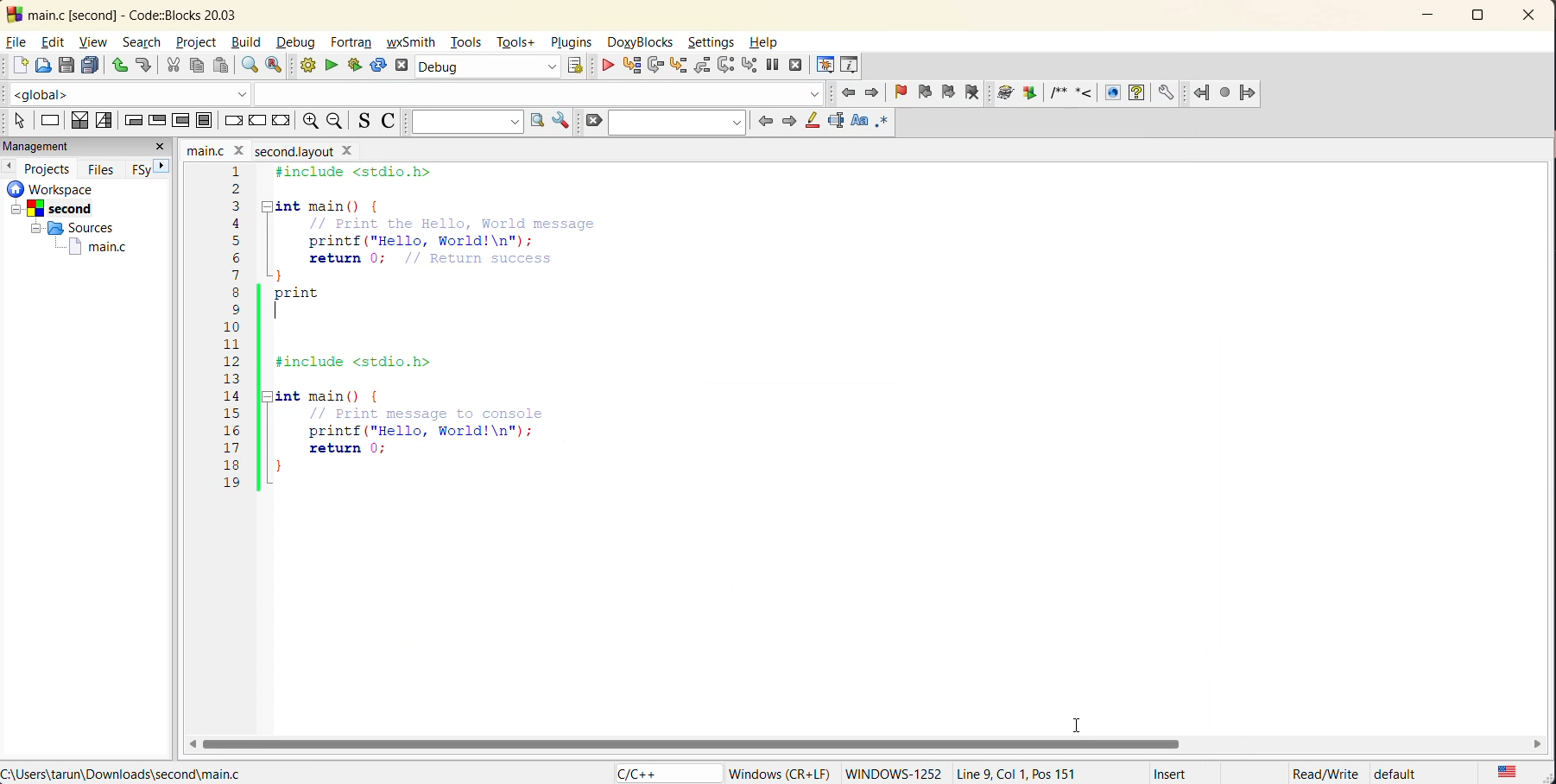 The height and width of the screenshot is (784, 1556). Describe the element at coordinates (16, 66) in the screenshot. I see `new` at that location.